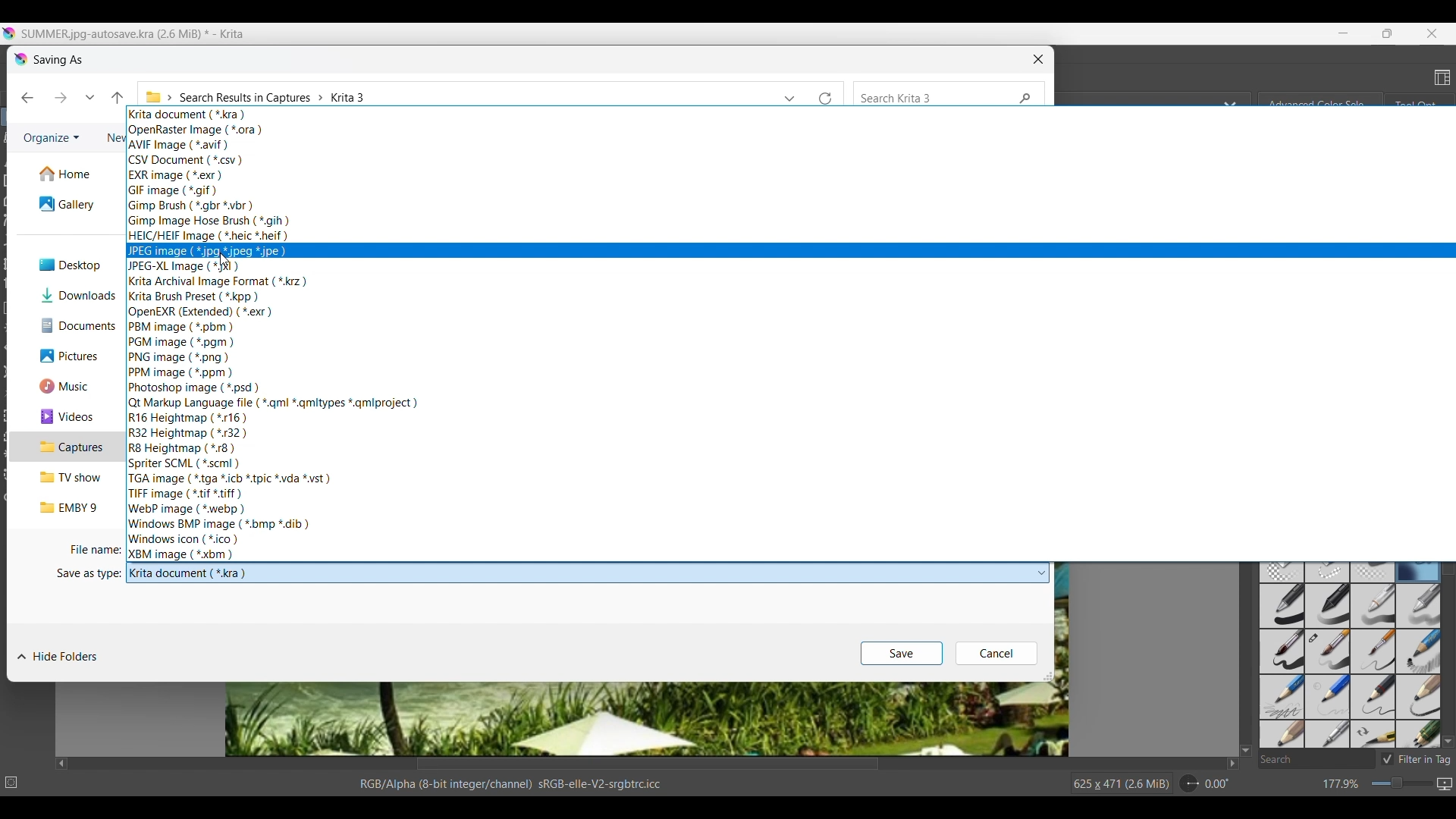 This screenshot has width=1456, height=819. What do you see at coordinates (62, 386) in the screenshot?
I see `Music folder` at bounding box center [62, 386].